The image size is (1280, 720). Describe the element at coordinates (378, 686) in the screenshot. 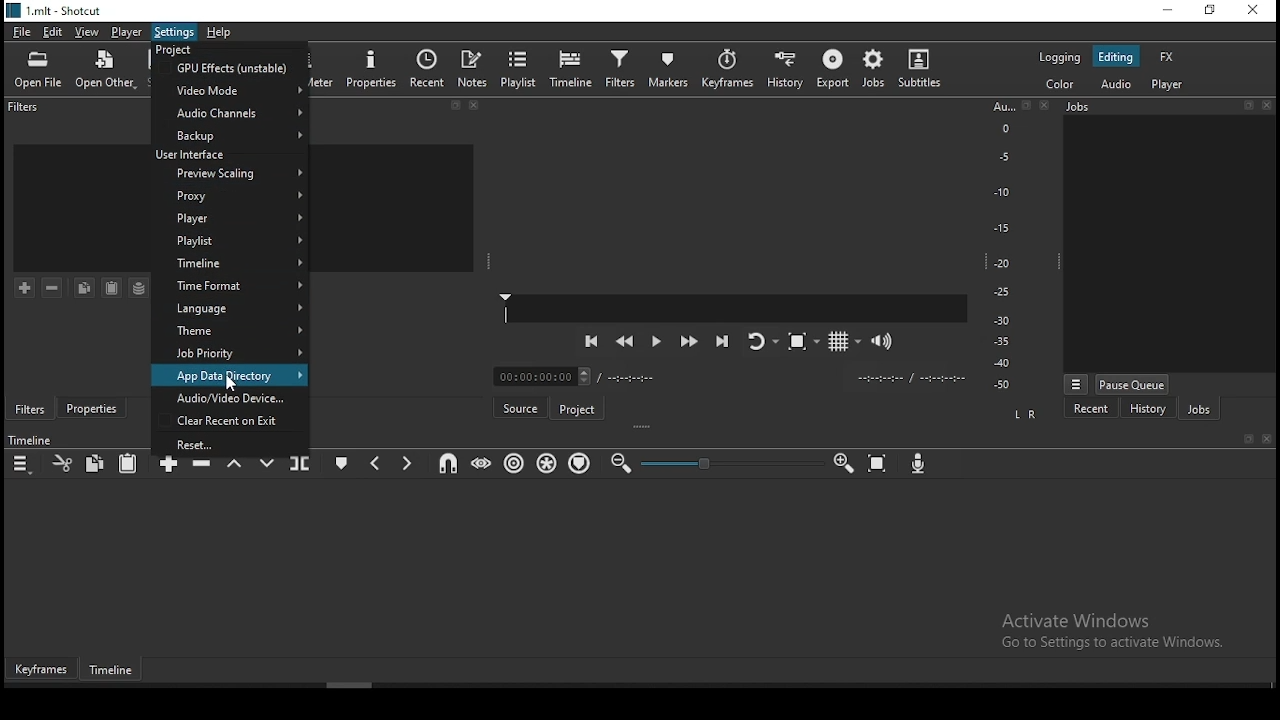

I see `scroll bar` at that location.